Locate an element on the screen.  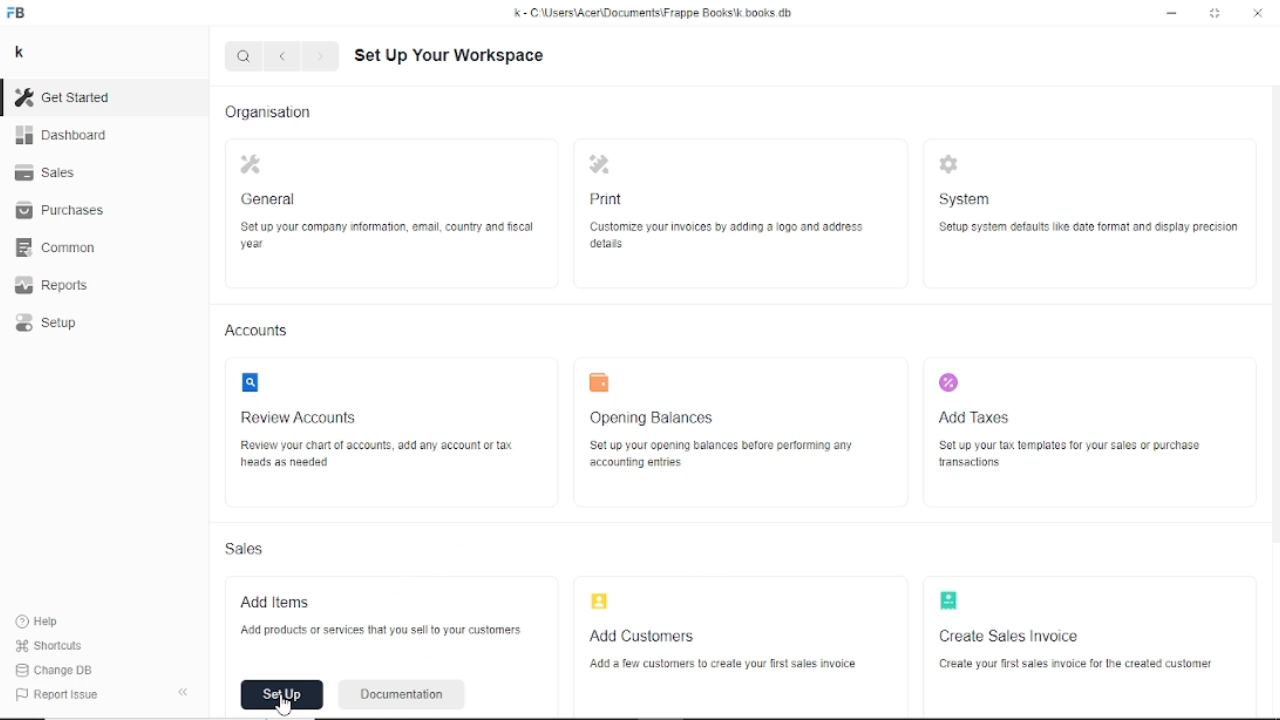
Organisation is located at coordinates (269, 111).